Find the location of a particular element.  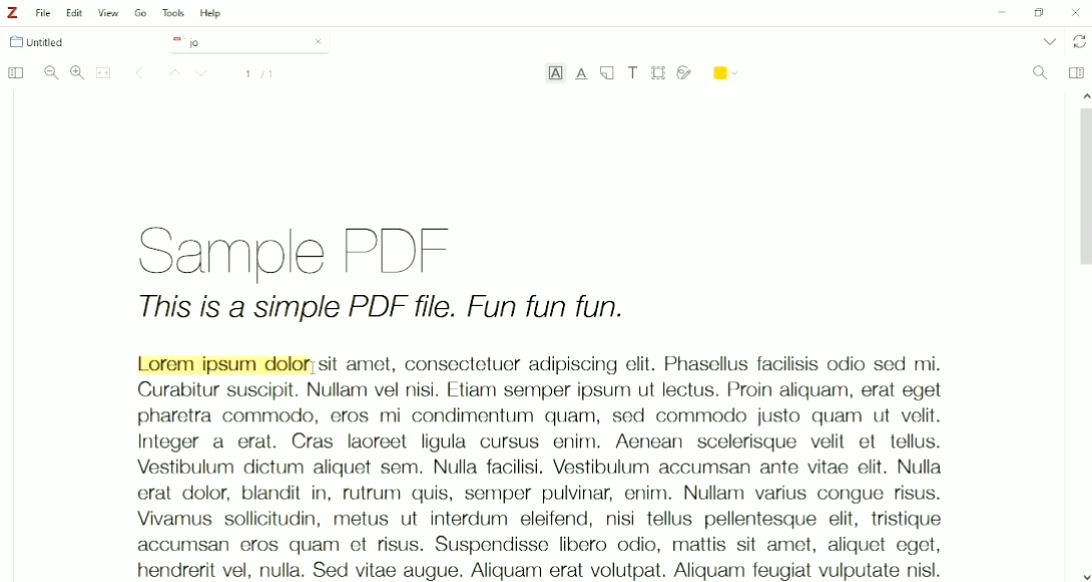

Note Annotation is located at coordinates (607, 74).